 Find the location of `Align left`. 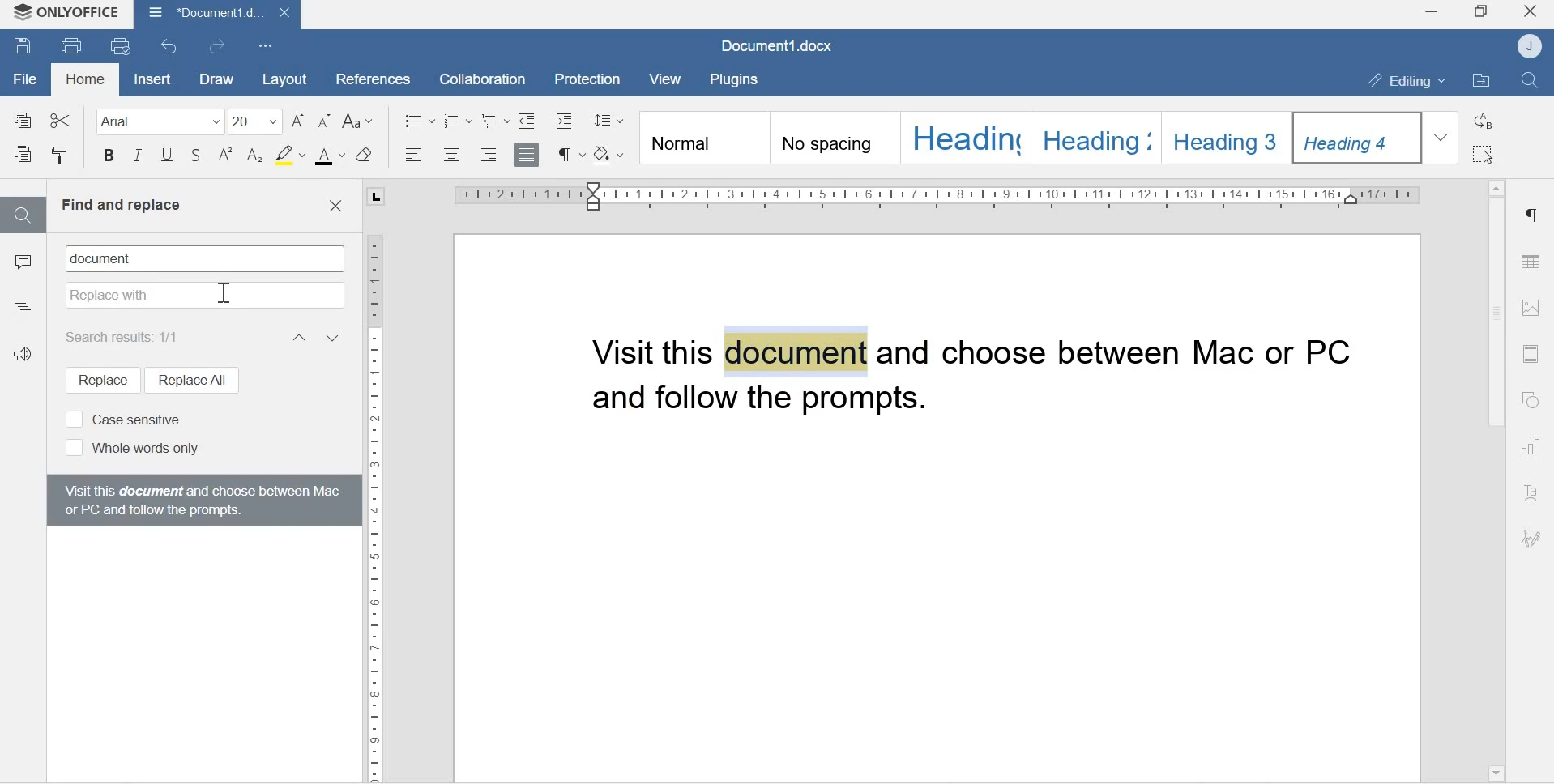

Align left is located at coordinates (414, 156).